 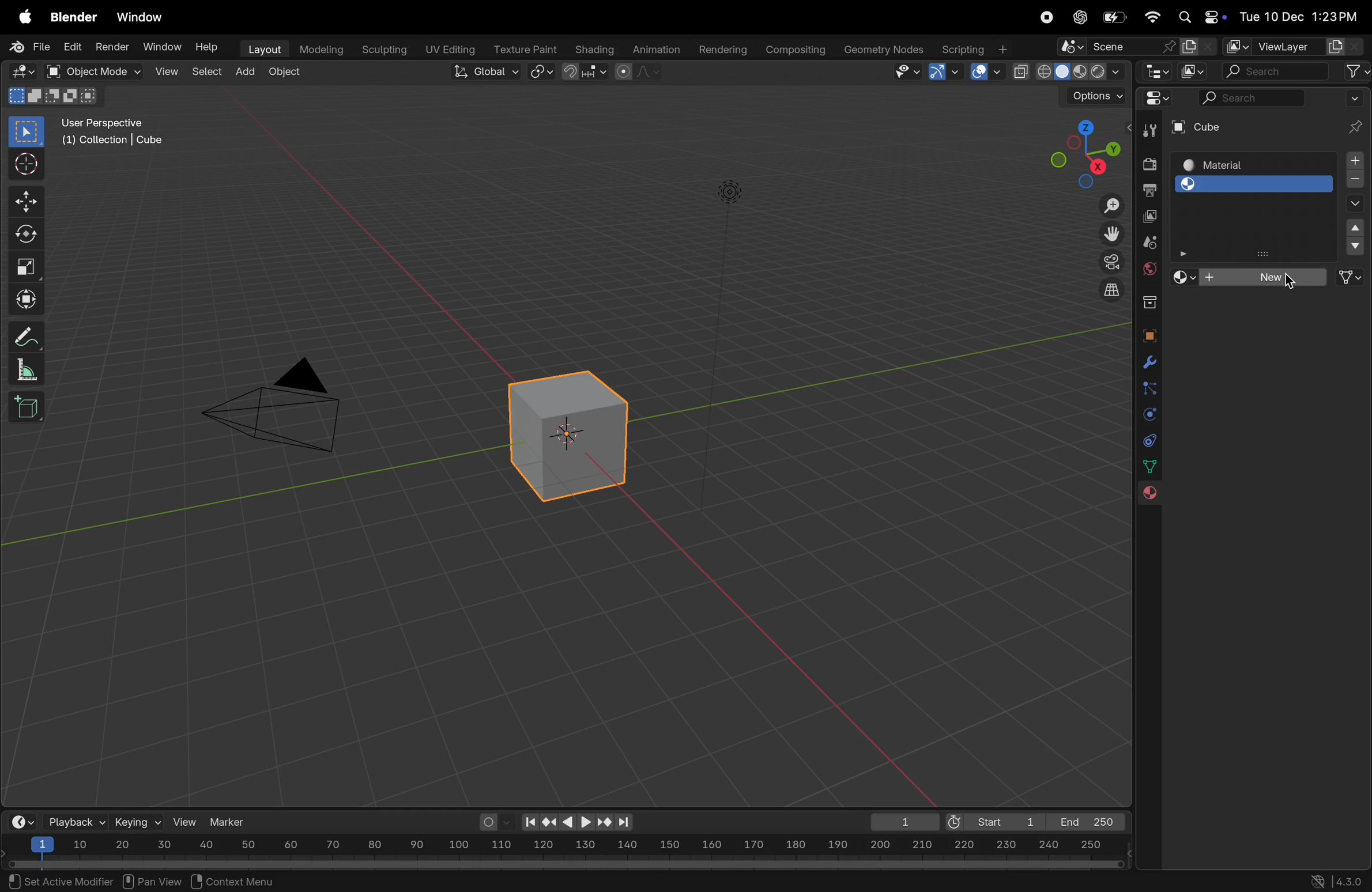 I want to click on zoom, so click(x=1106, y=207).